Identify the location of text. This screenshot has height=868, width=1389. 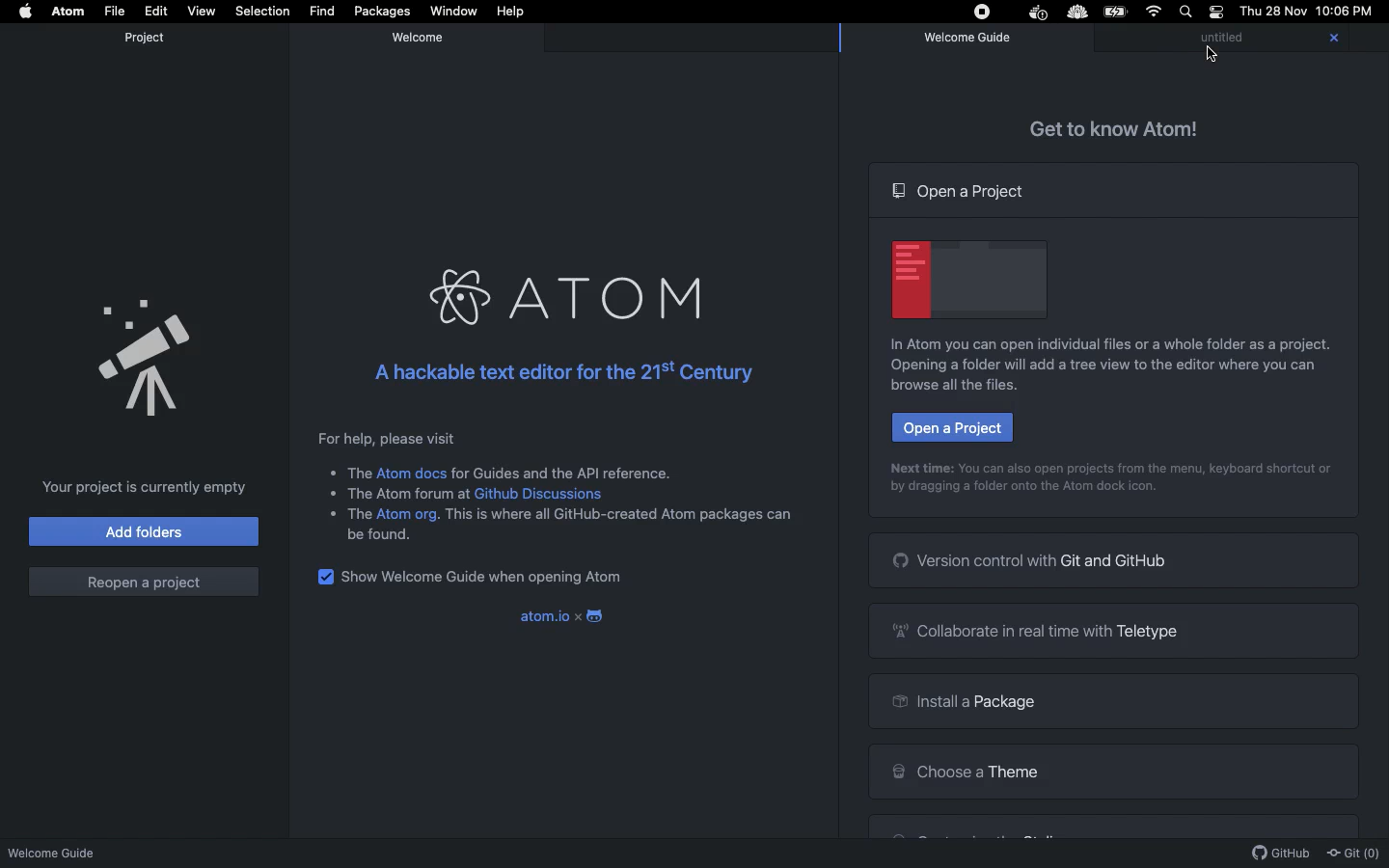
(401, 493).